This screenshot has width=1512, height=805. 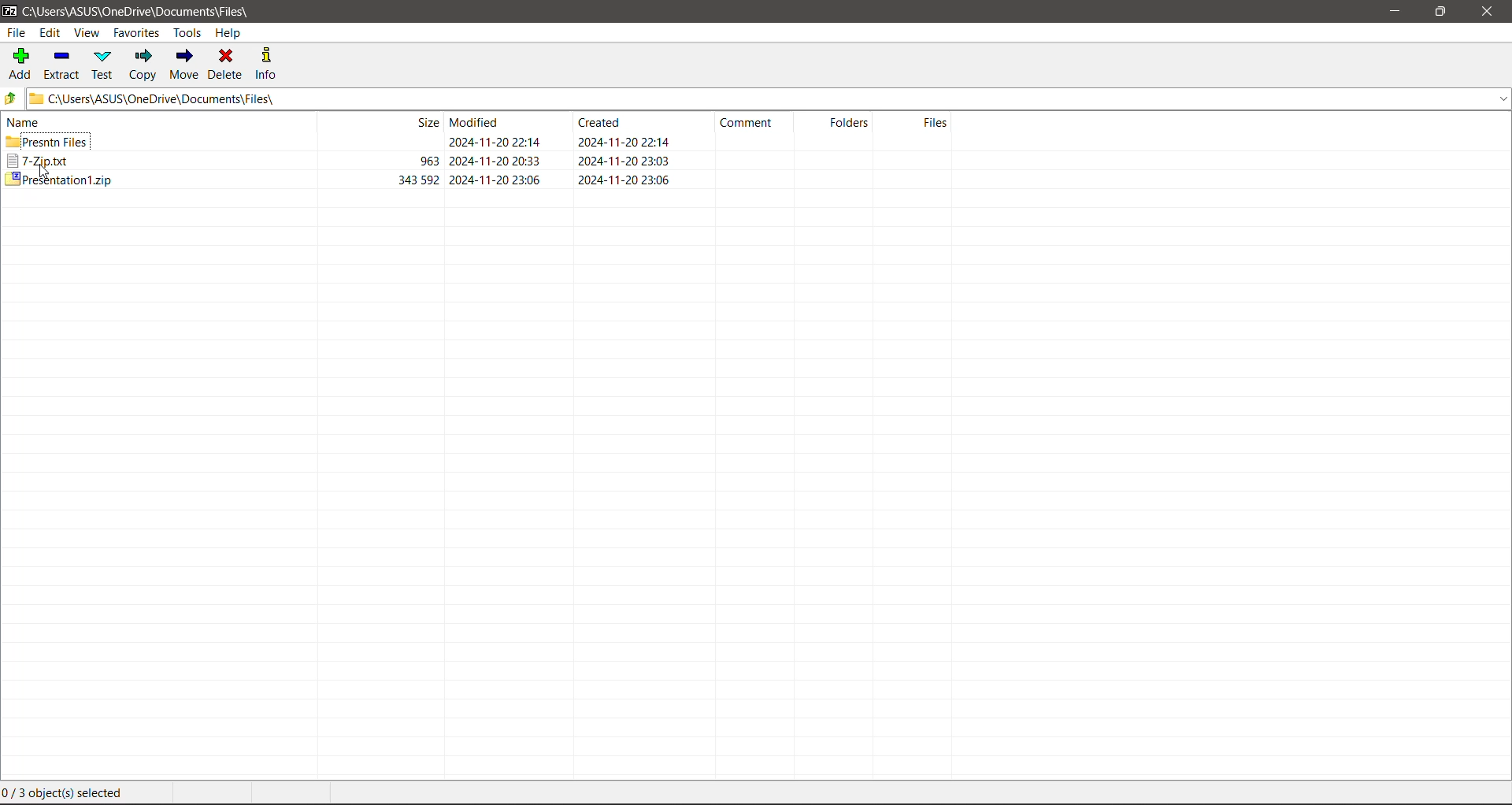 What do you see at coordinates (186, 33) in the screenshot?
I see `Tools` at bounding box center [186, 33].